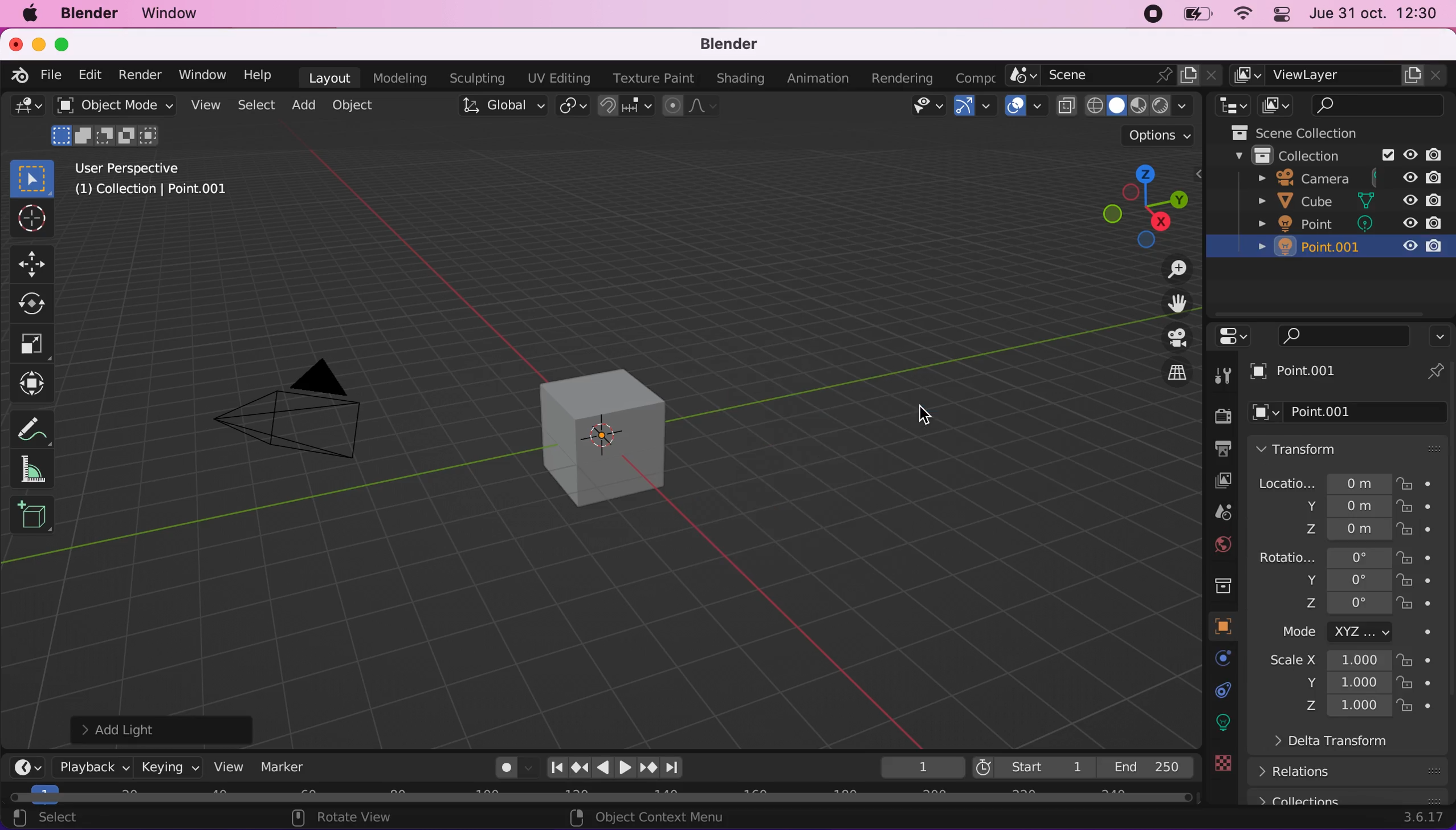  What do you see at coordinates (625, 107) in the screenshot?
I see `snapping` at bounding box center [625, 107].